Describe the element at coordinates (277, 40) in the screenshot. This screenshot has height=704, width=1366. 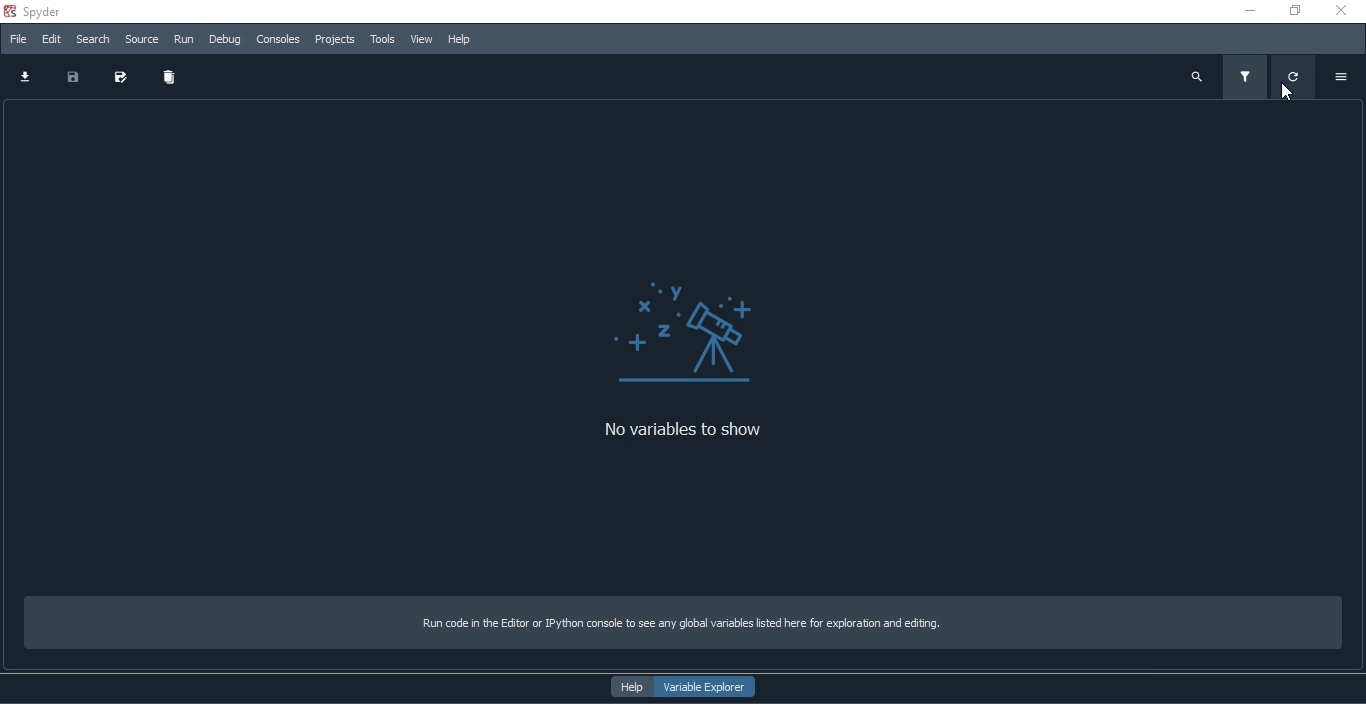
I see `Consoles` at that location.